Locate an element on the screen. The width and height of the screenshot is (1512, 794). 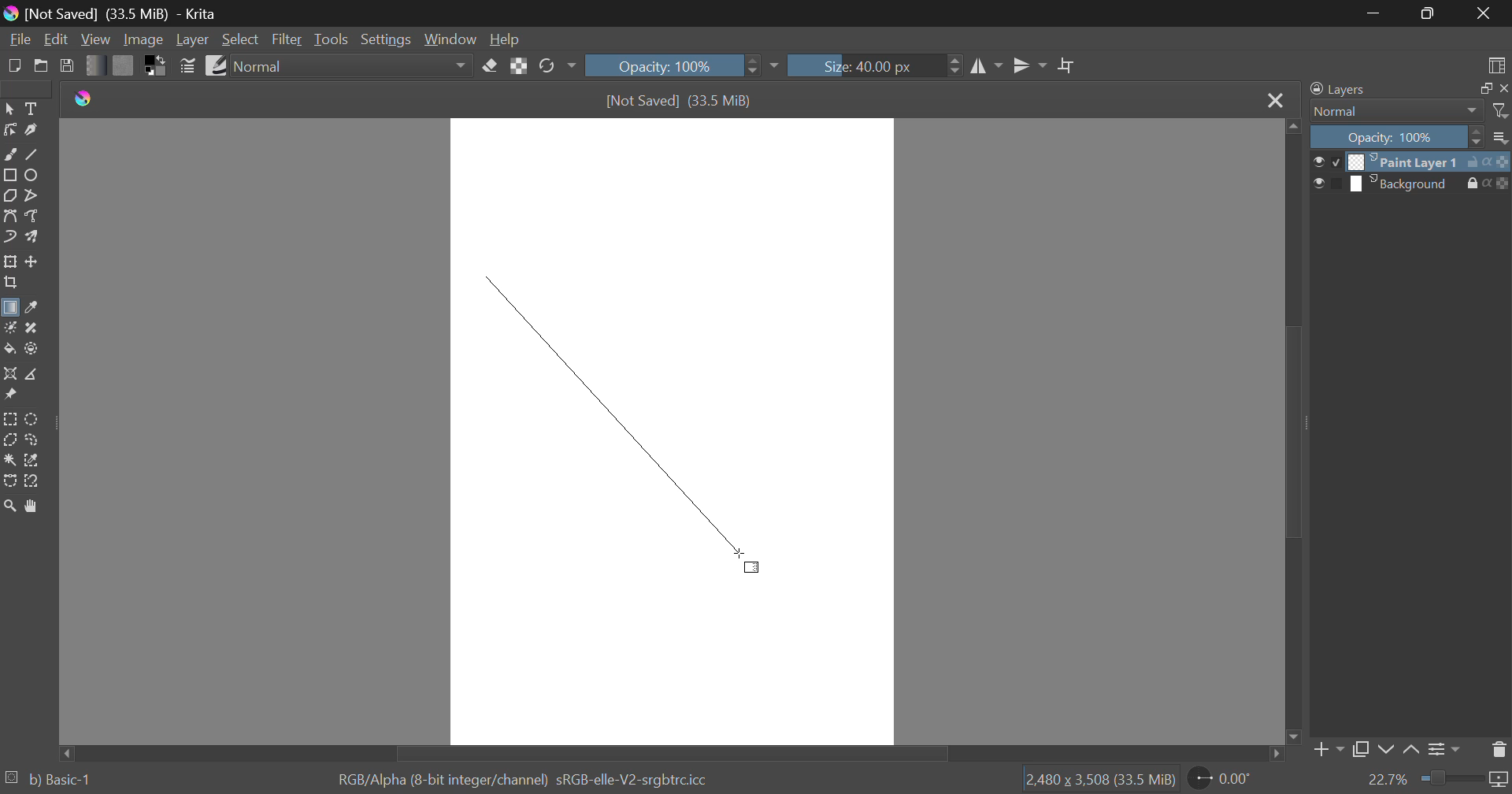
Save is located at coordinates (68, 65).